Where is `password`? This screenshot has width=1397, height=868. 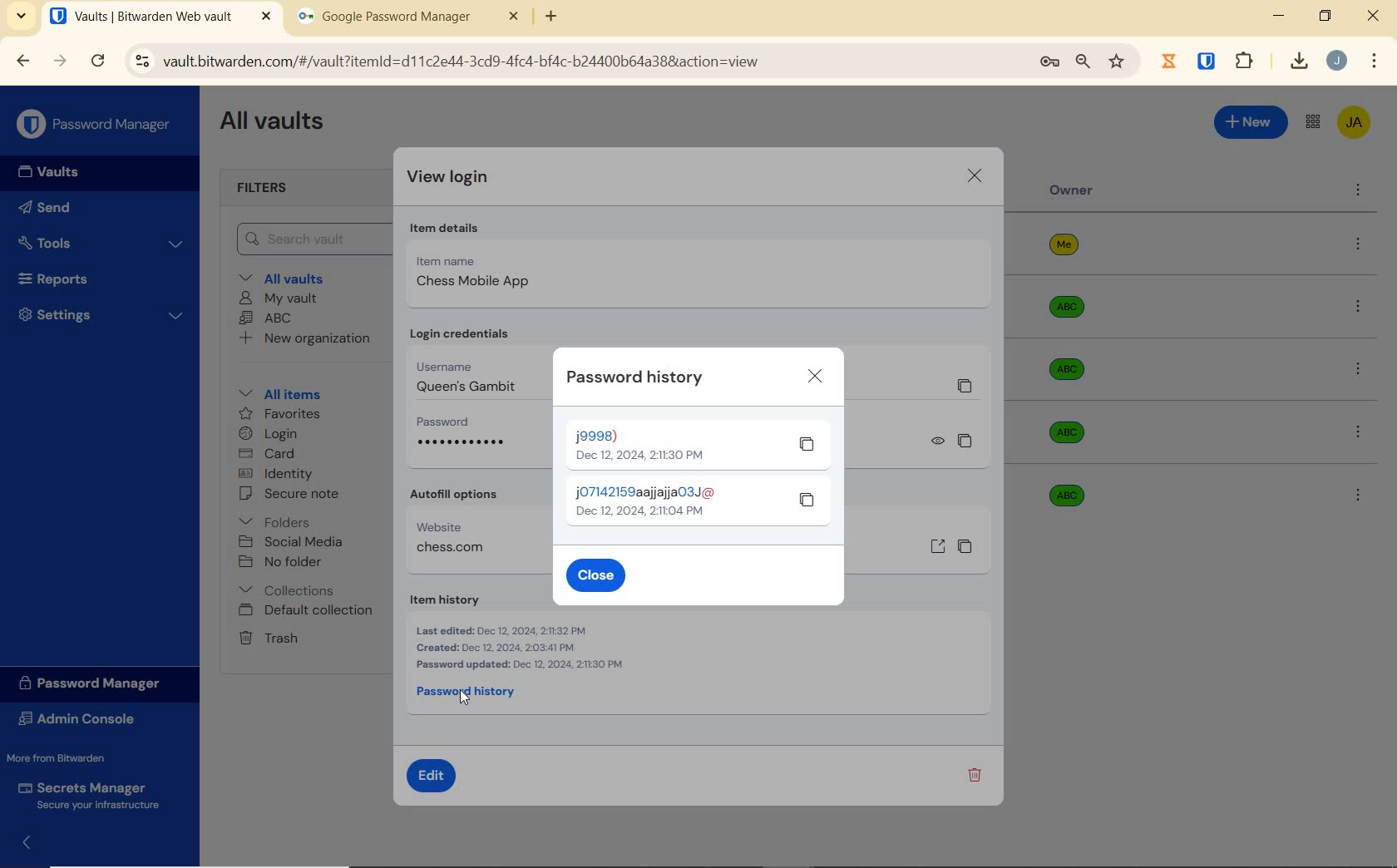 password is located at coordinates (639, 442).